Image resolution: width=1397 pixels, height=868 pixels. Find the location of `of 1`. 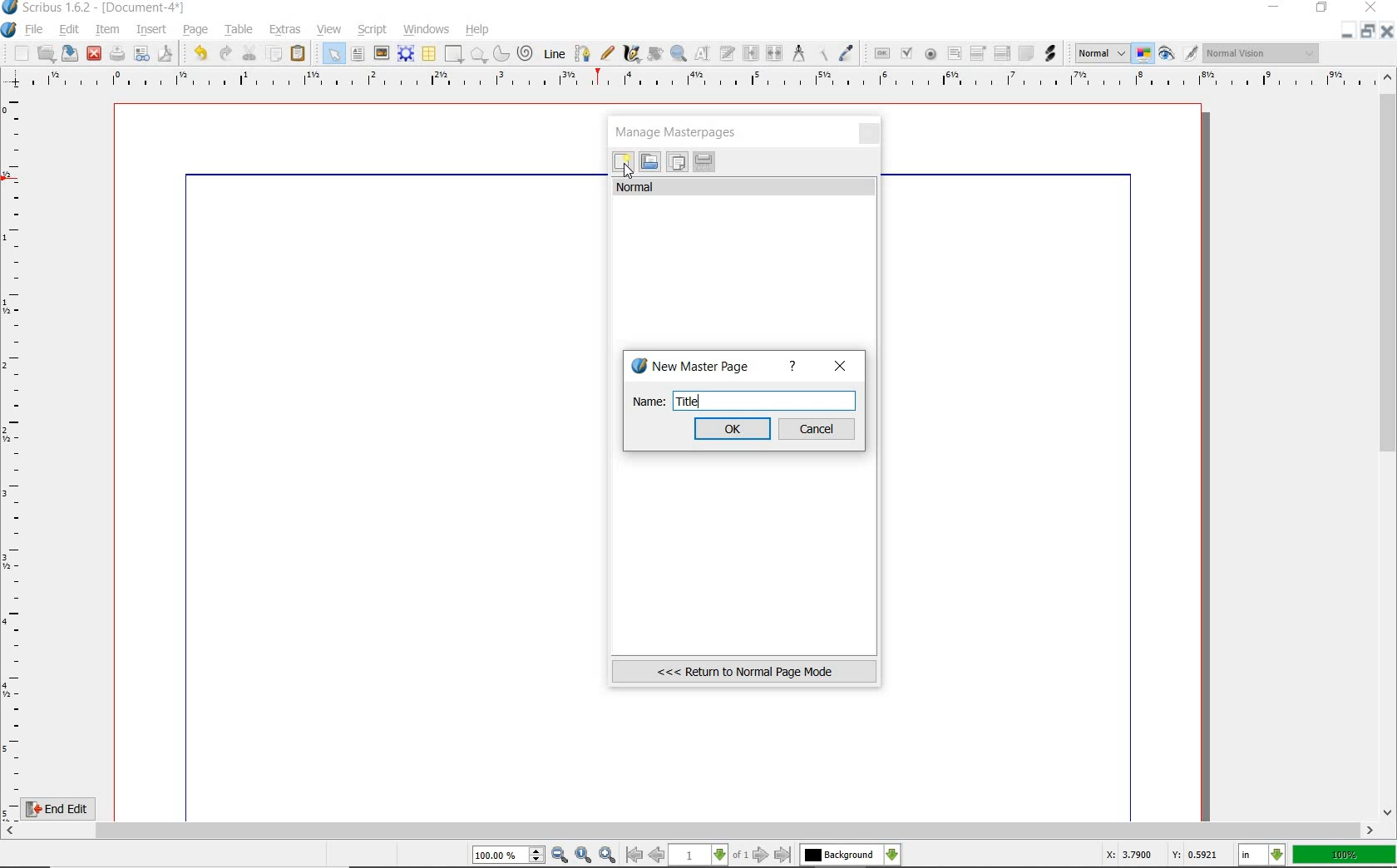

of 1 is located at coordinates (740, 856).